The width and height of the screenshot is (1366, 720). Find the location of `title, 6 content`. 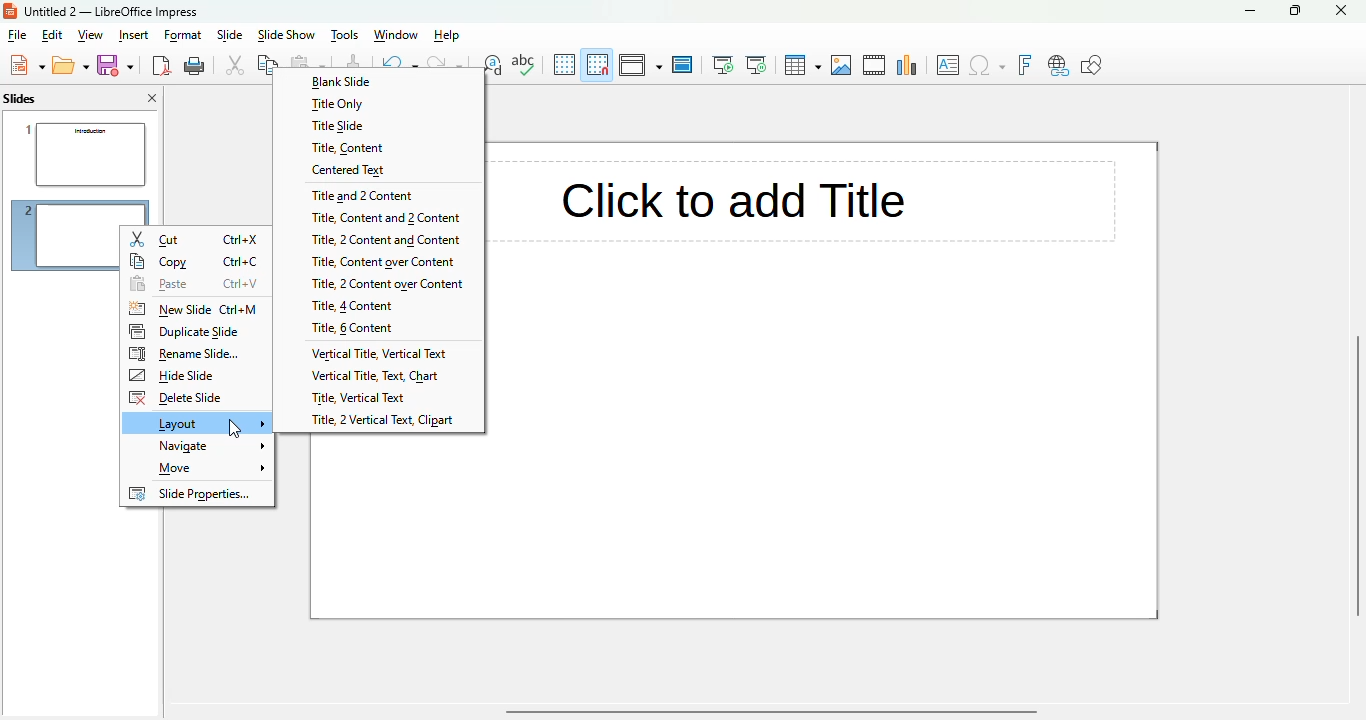

title, 6 content is located at coordinates (379, 328).